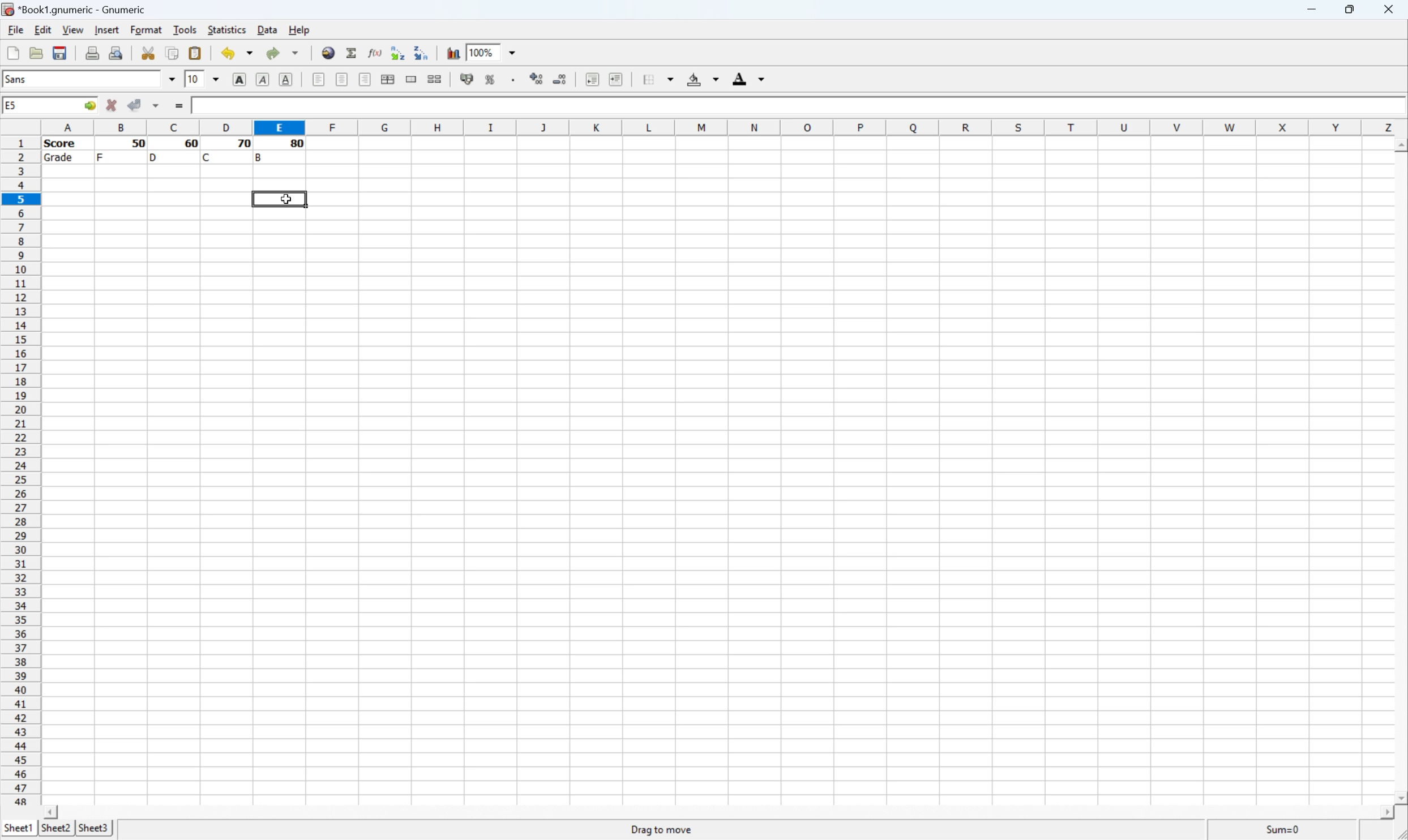 Image resolution: width=1408 pixels, height=840 pixels. Describe the element at coordinates (42, 30) in the screenshot. I see `edit` at that location.